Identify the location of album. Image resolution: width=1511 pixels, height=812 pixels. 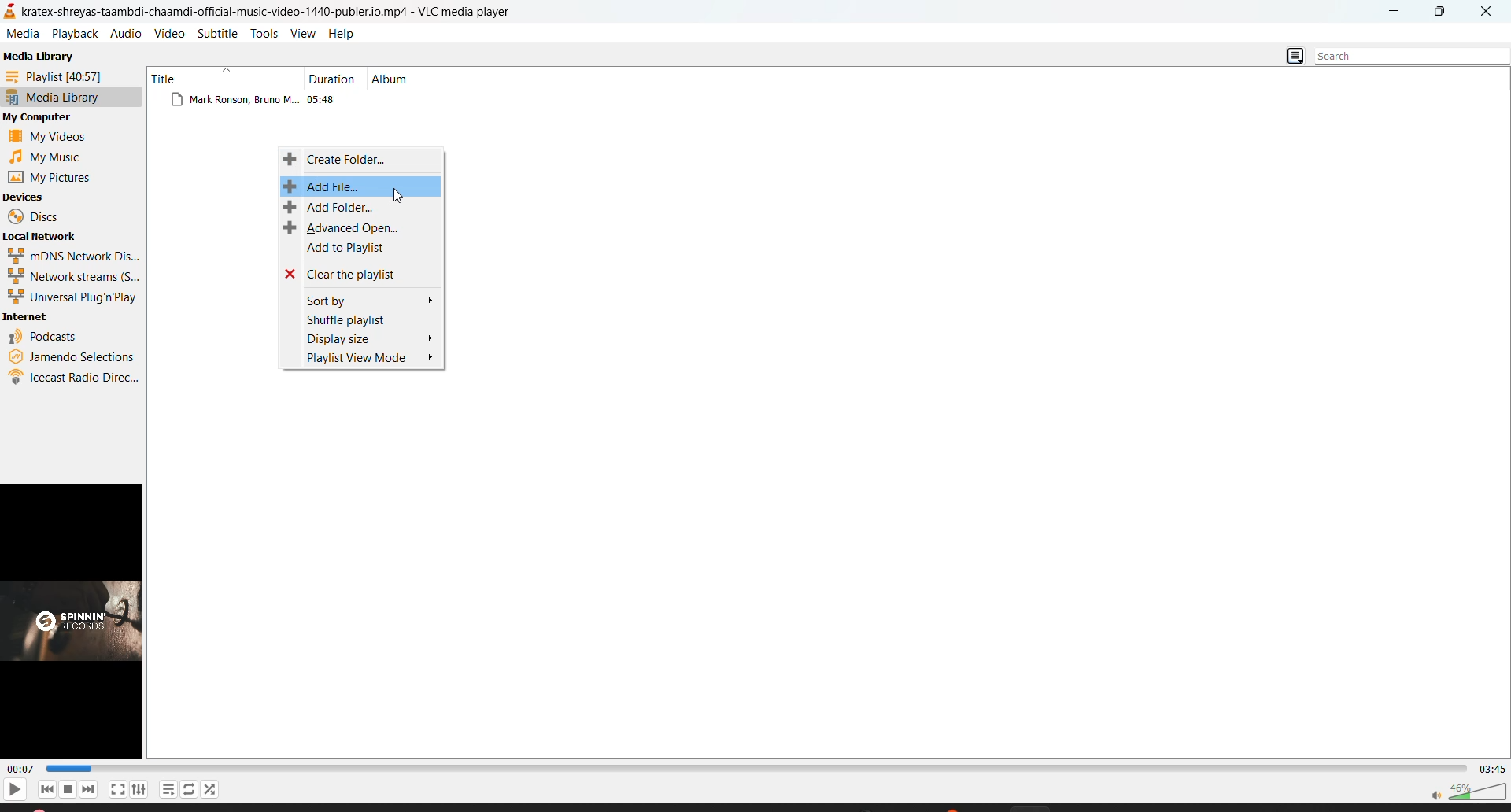
(399, 79).